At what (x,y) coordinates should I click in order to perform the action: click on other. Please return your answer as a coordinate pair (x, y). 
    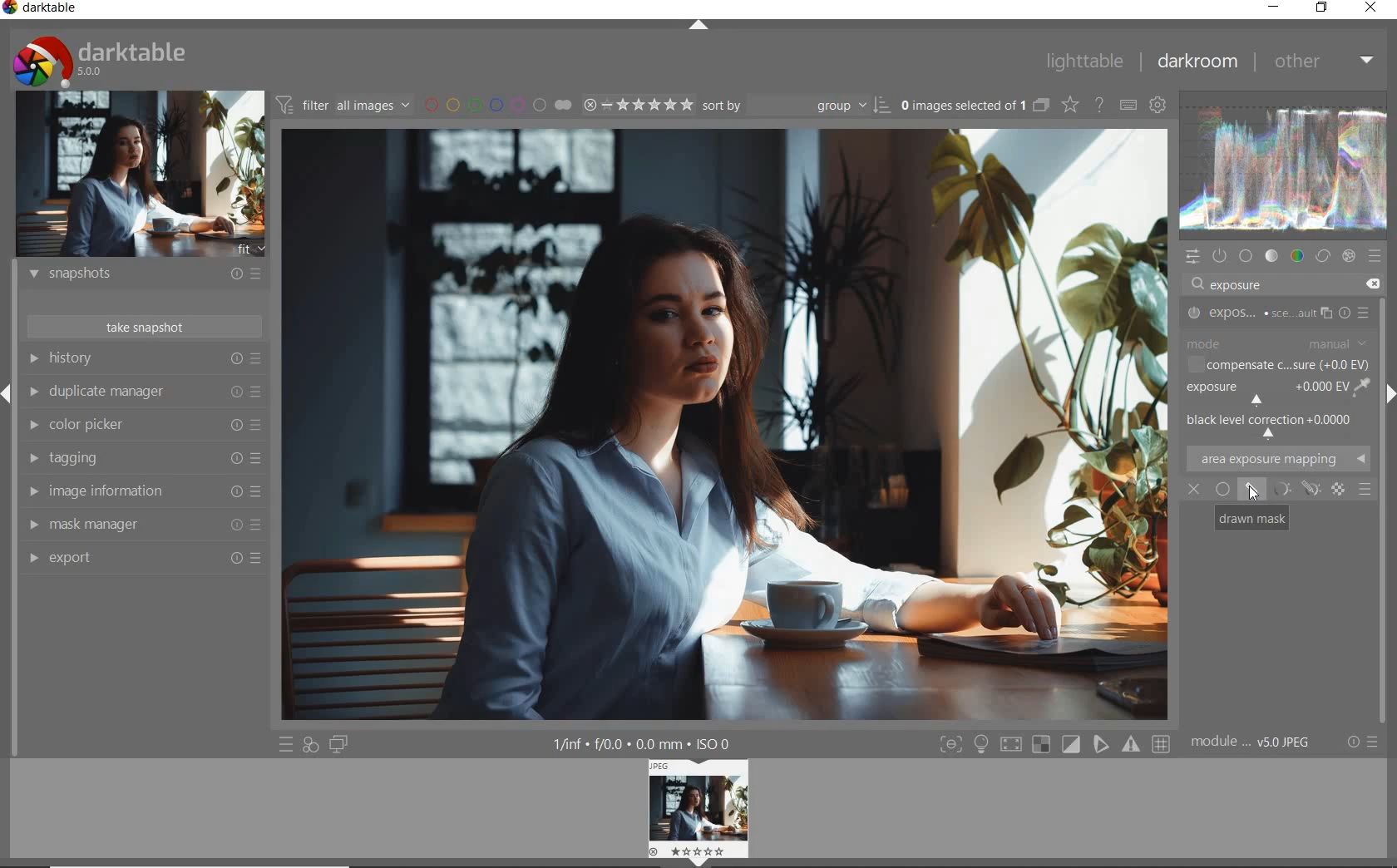
    Looking at the image, I should click on (1325, 64).